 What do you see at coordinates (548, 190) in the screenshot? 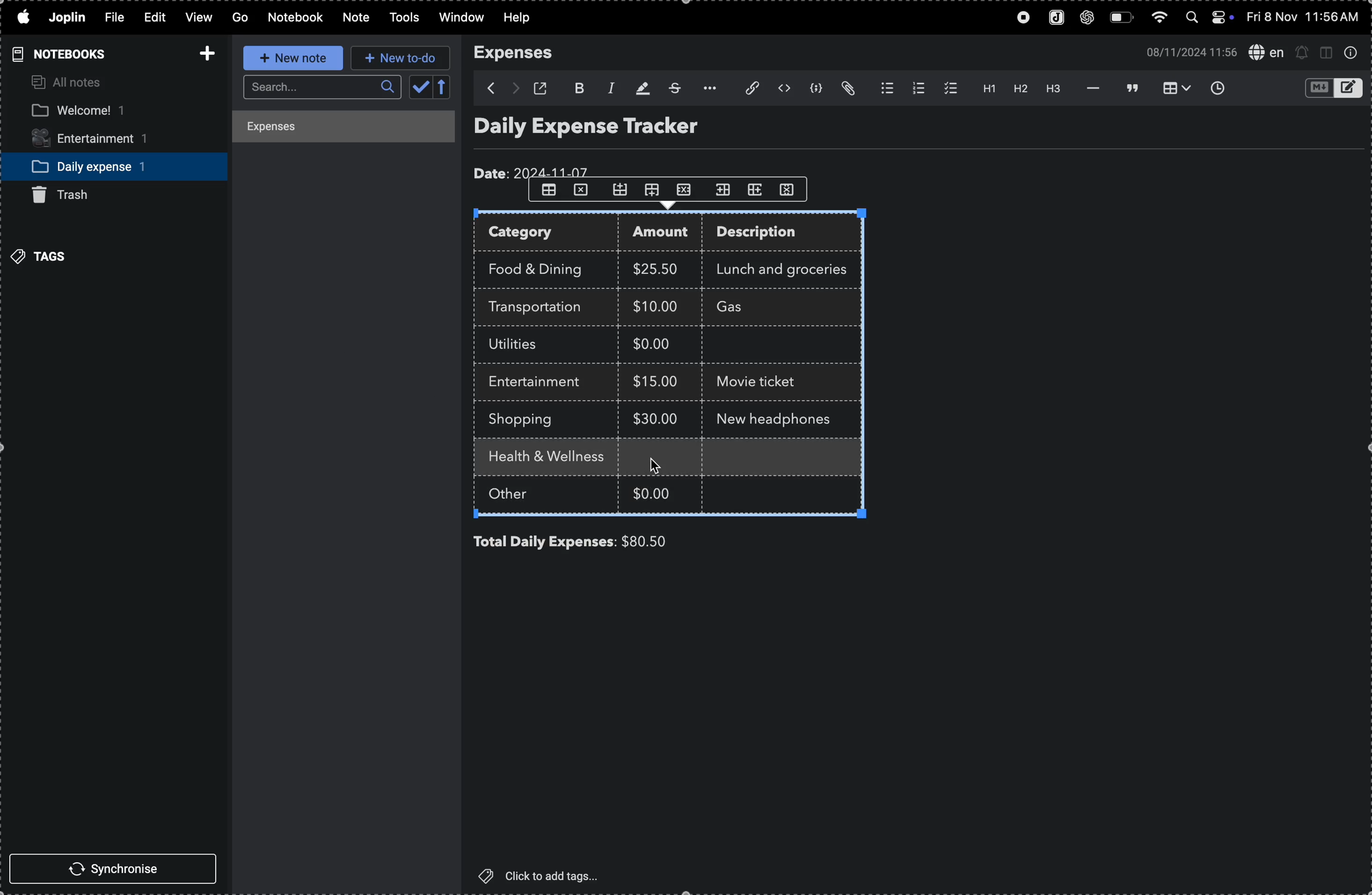
I see `table` at bounding box center [548, 190].